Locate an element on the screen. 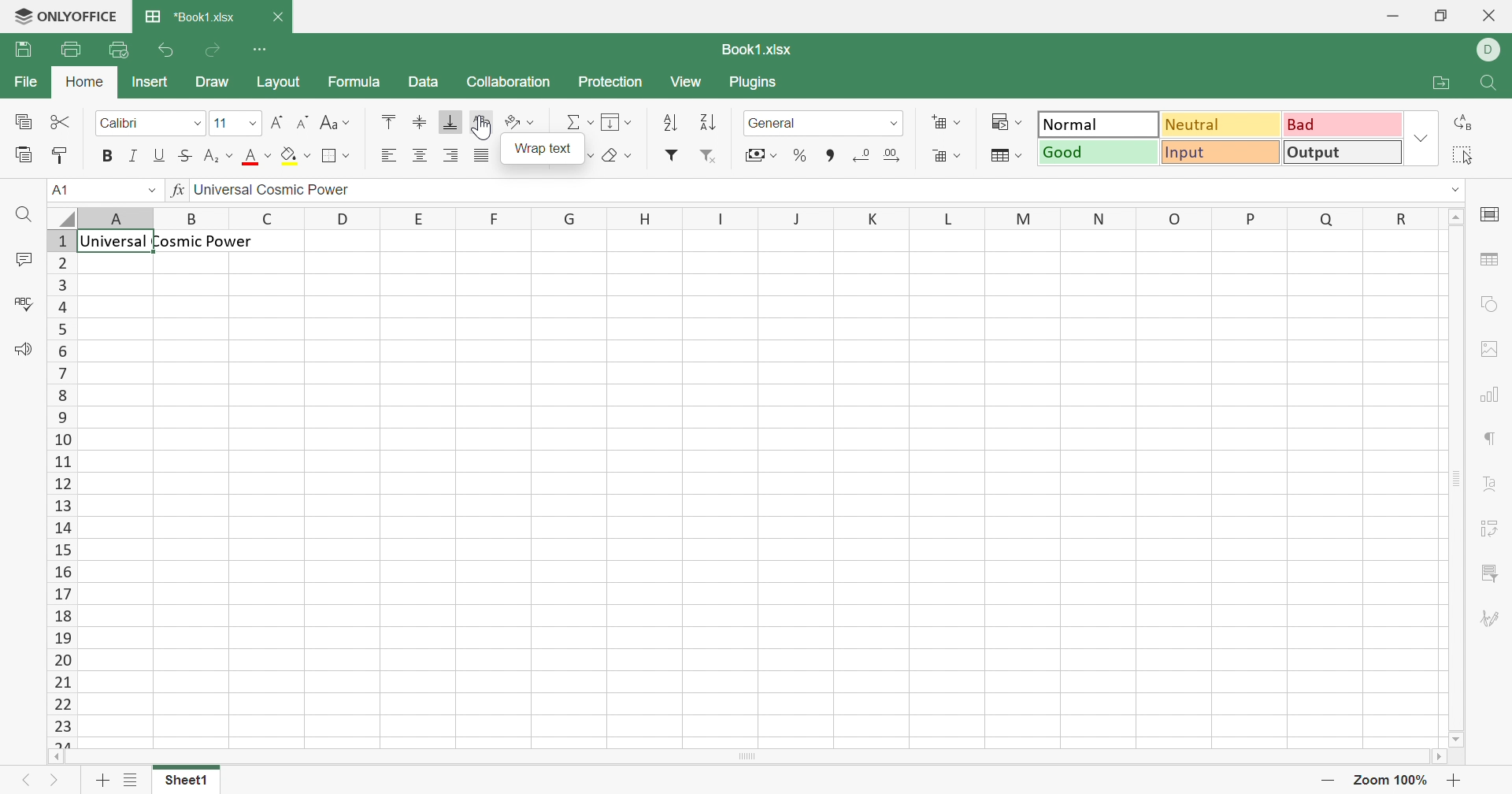 This screenshot has width=1512, height=794. Zoom out is located at coordinates (1329, 780).